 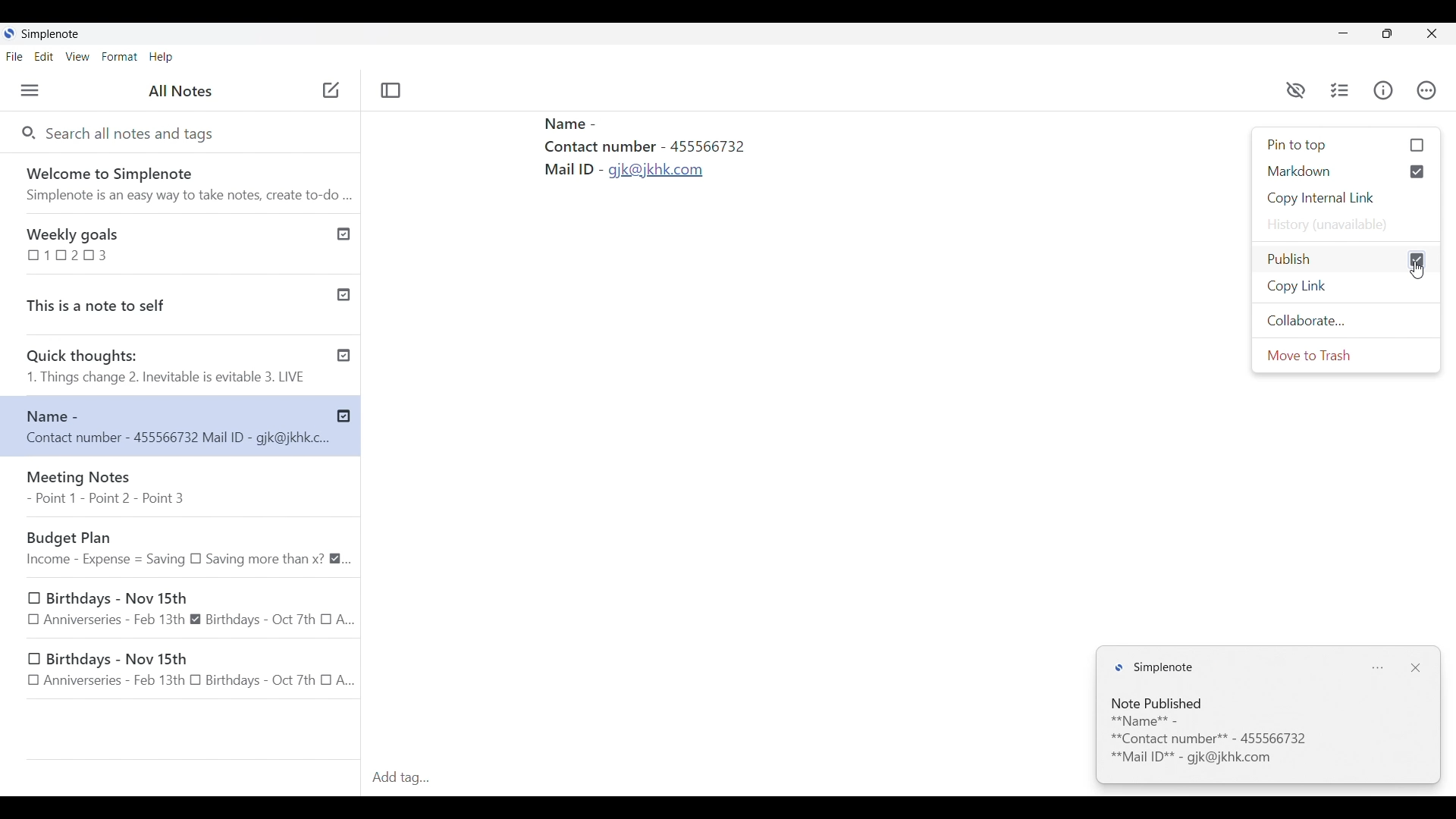 What do you see at coordinates (1377, 669) in the screenshot?
I see `Notifications setting` at bounding box center [1377, 669].